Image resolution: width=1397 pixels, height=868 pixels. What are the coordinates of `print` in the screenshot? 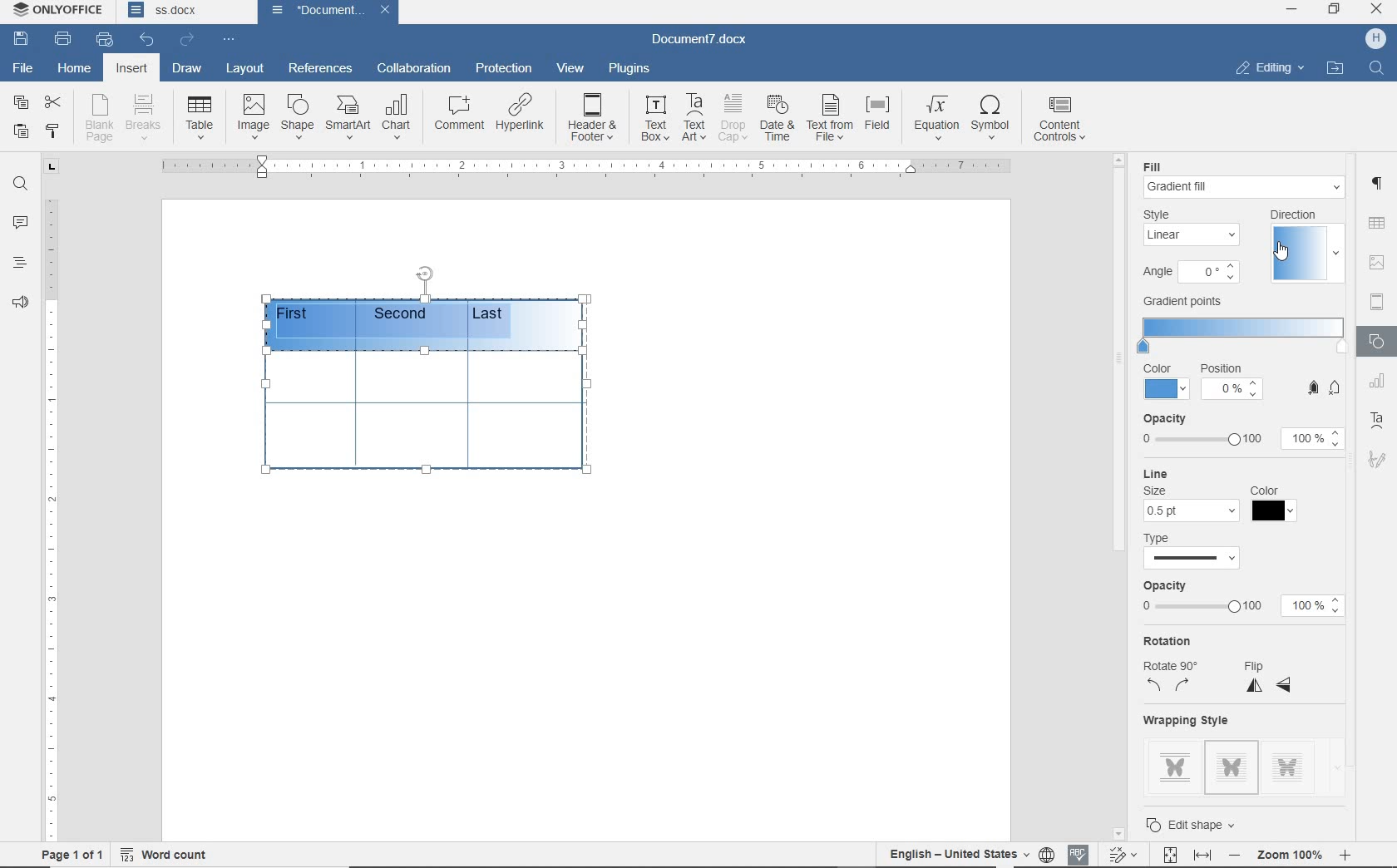 It's located at (63, 38).